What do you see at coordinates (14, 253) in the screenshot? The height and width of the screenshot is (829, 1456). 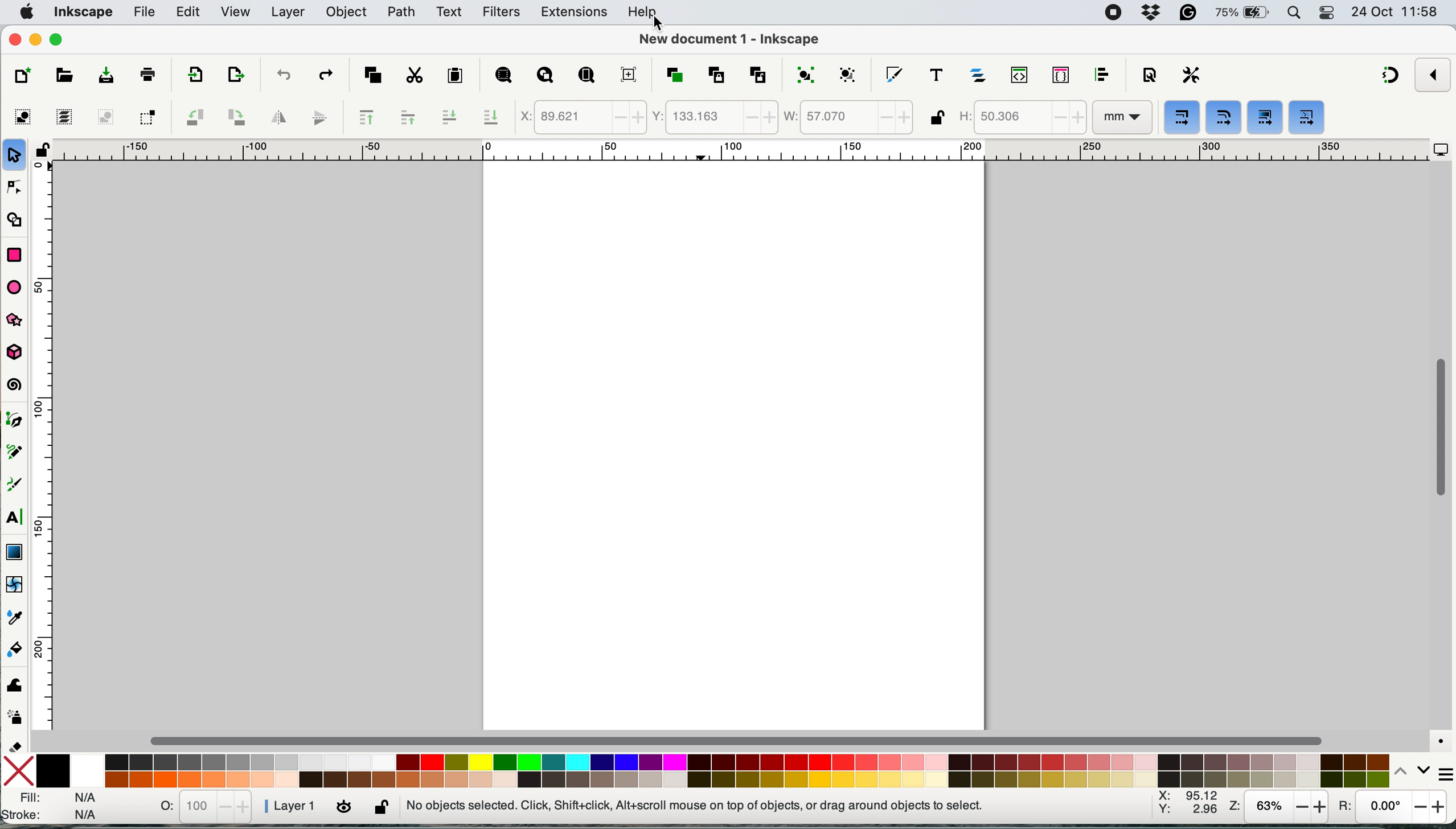 I see `rectangle tool` at bounding box center [14, 253].